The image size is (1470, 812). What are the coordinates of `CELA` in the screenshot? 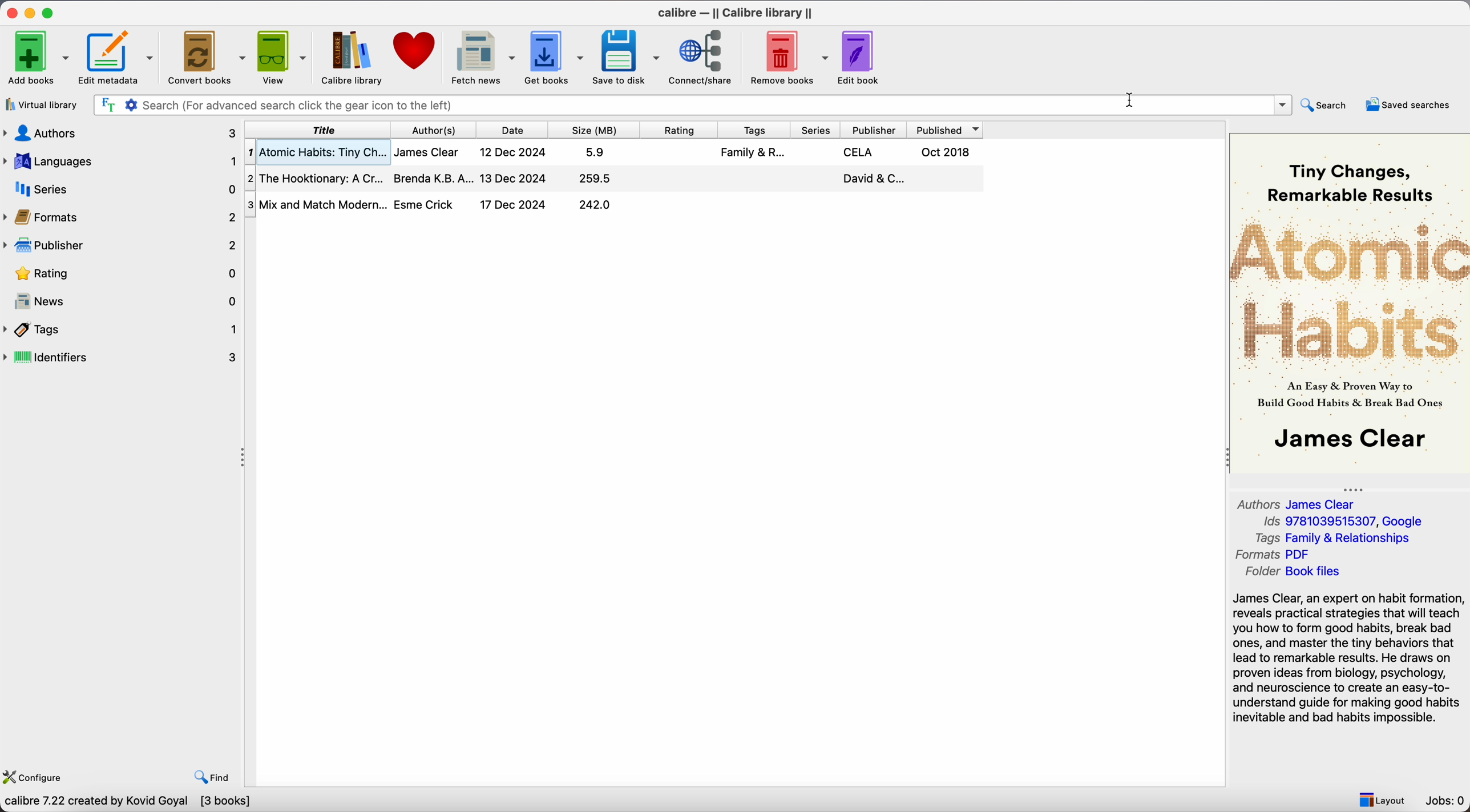 It's located at (861, 152).